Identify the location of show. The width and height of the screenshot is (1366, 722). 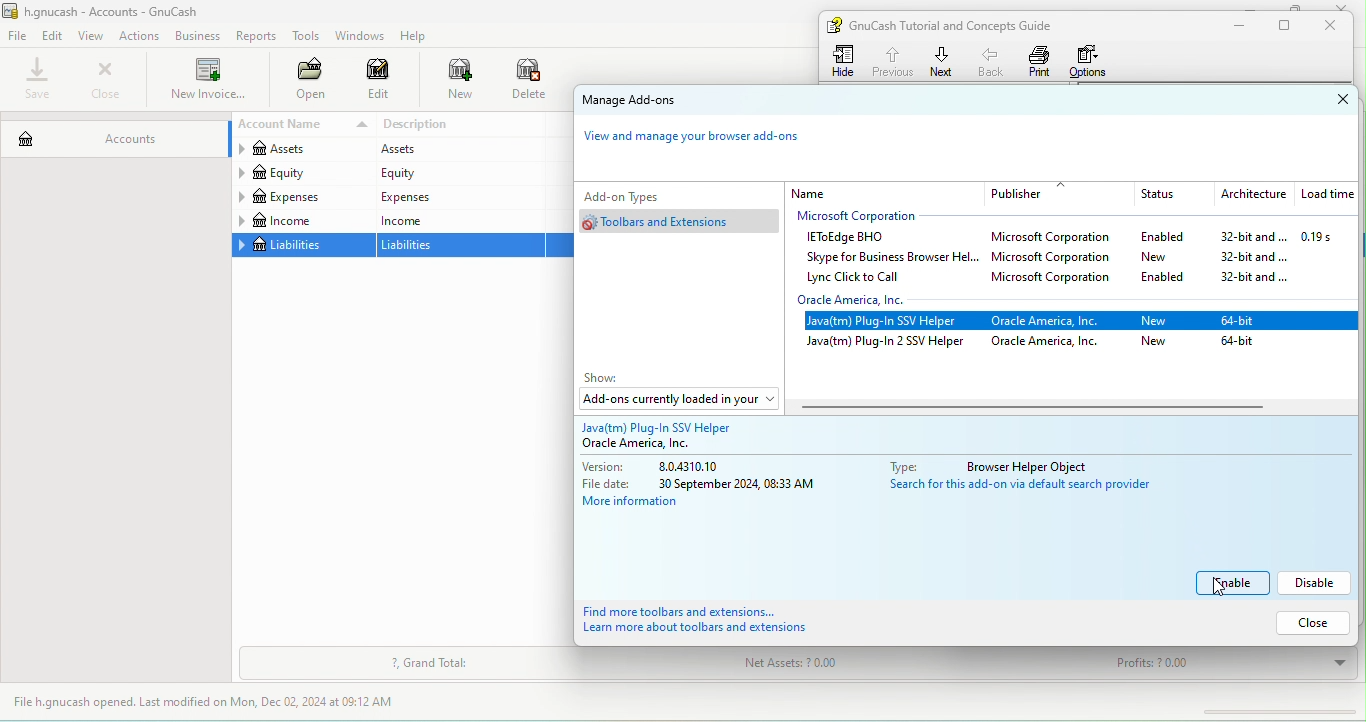
(608, 378).